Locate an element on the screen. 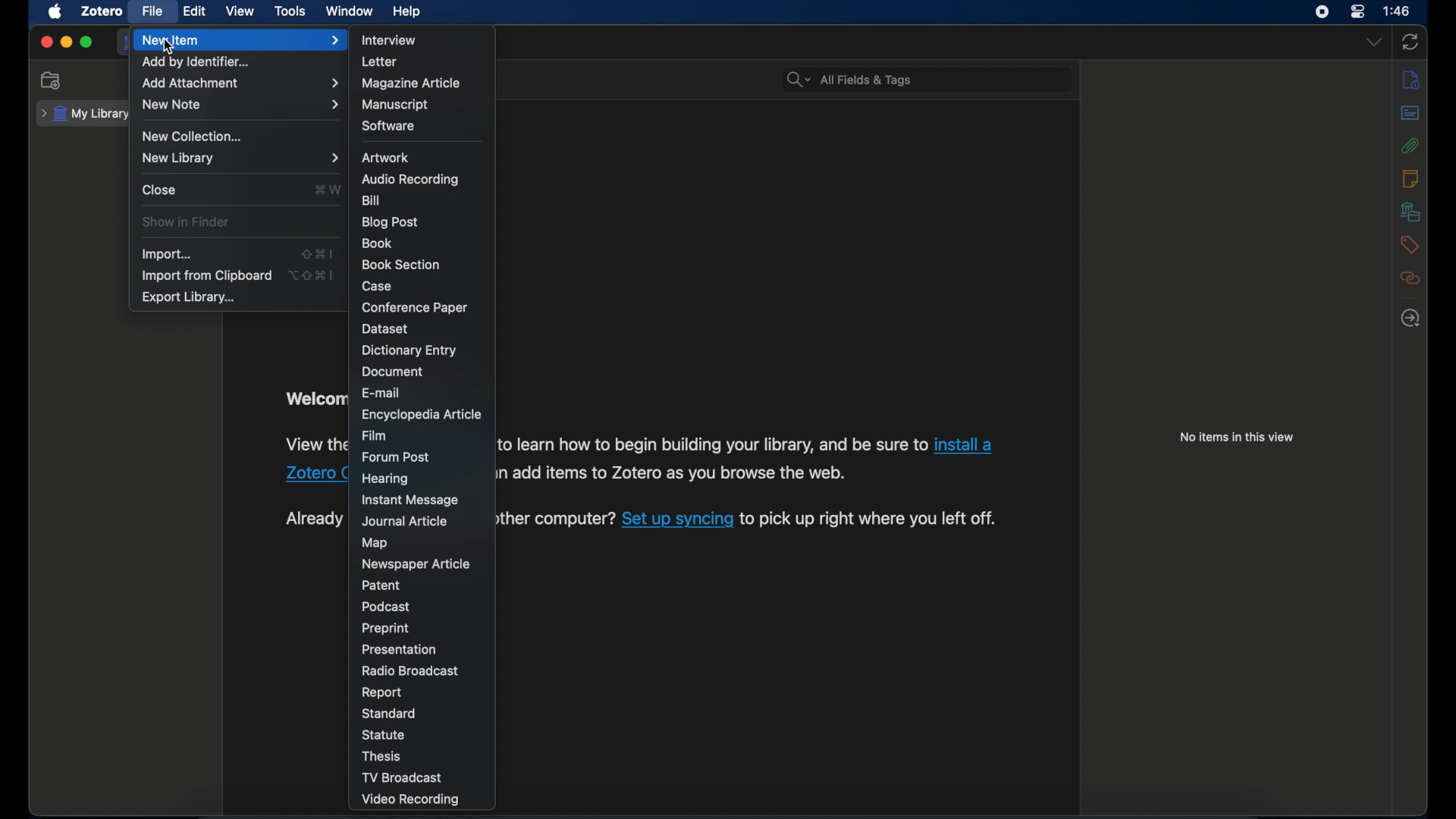 Image resolution: width=1456 pixels, height=819 pixels. All Fields & Tags is located at coordinates (927, 80).